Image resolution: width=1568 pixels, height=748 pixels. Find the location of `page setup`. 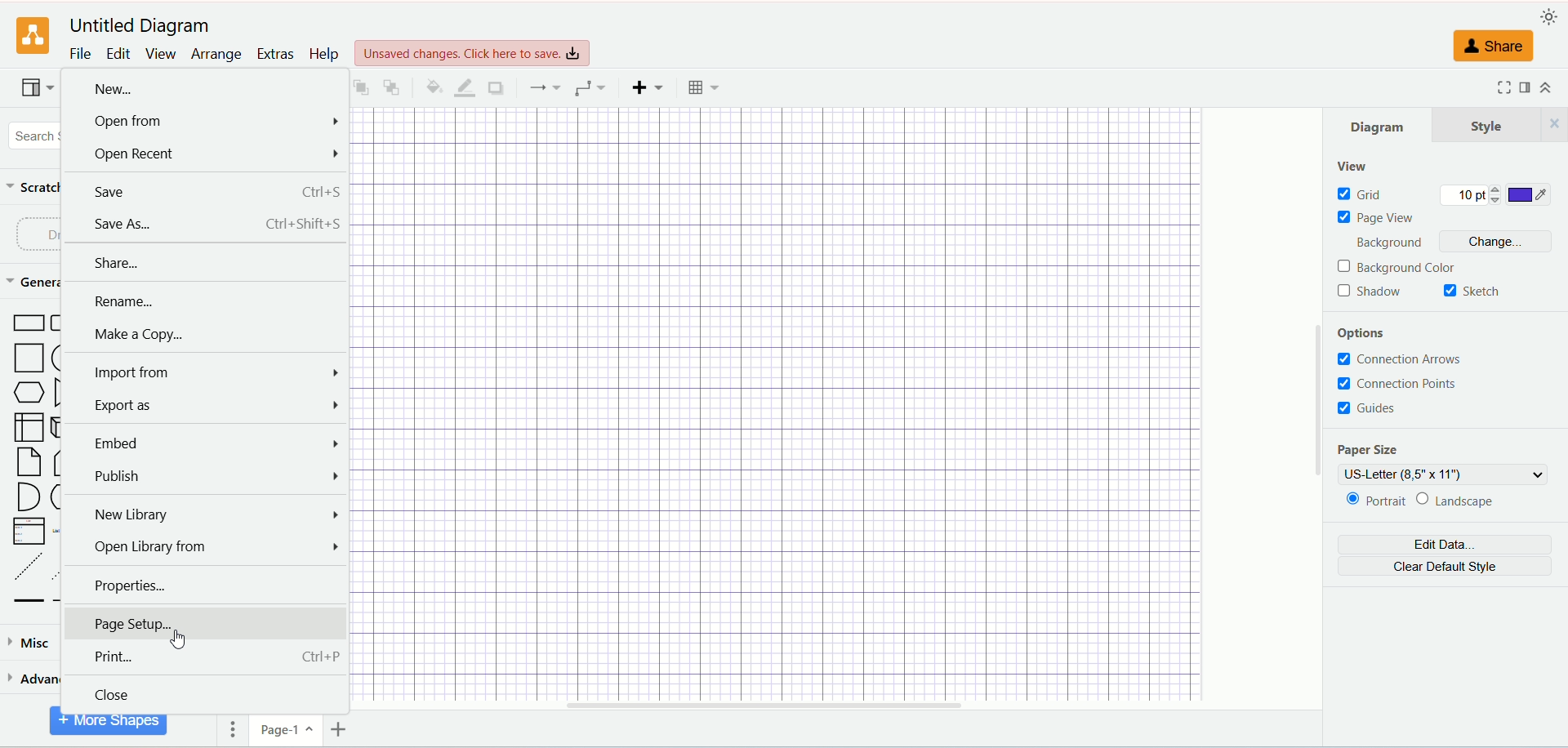

page setup is located at coordinates (208, 623).